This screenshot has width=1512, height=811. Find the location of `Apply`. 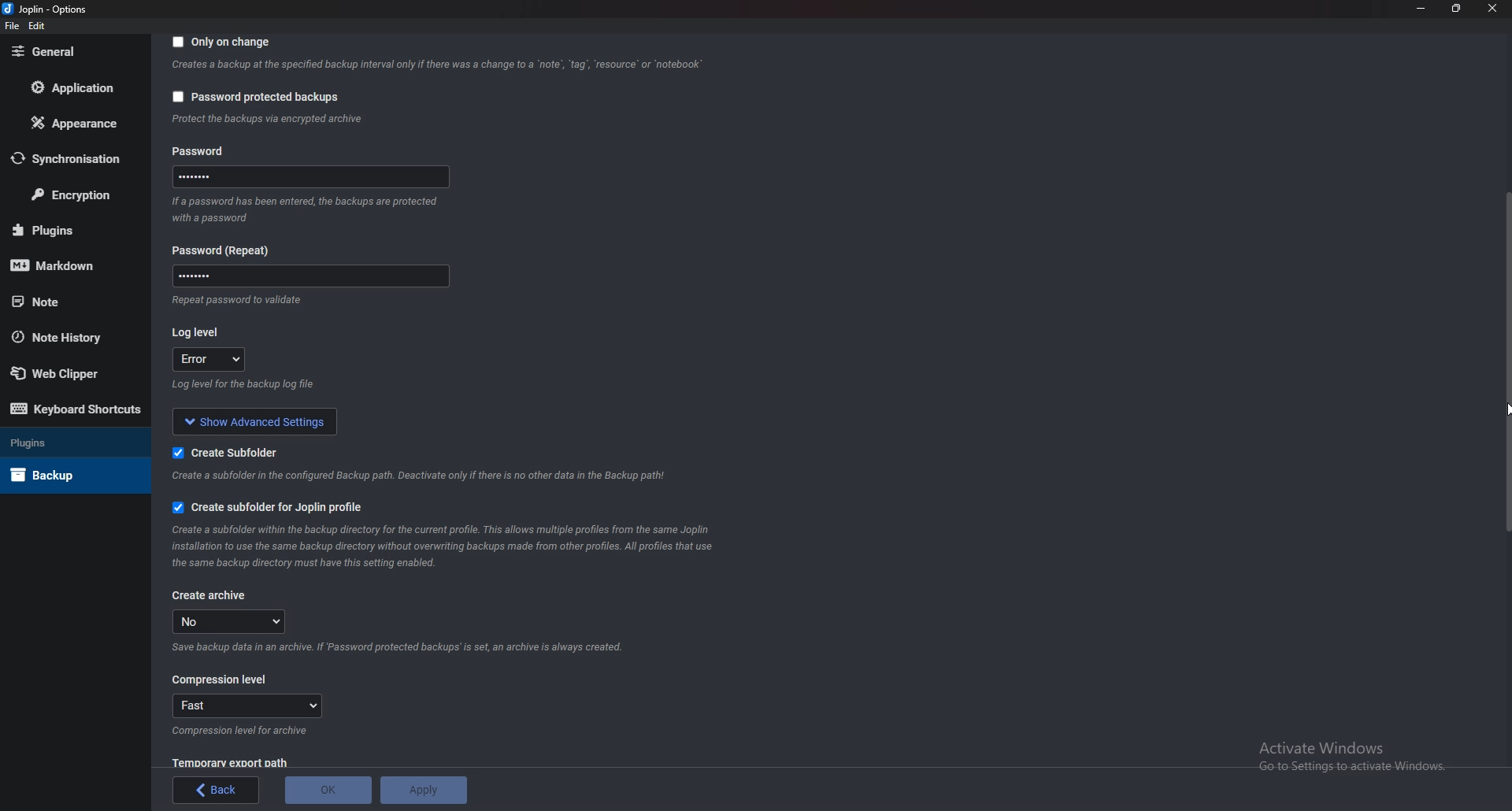

Apply is located at coordinates (423, 790).